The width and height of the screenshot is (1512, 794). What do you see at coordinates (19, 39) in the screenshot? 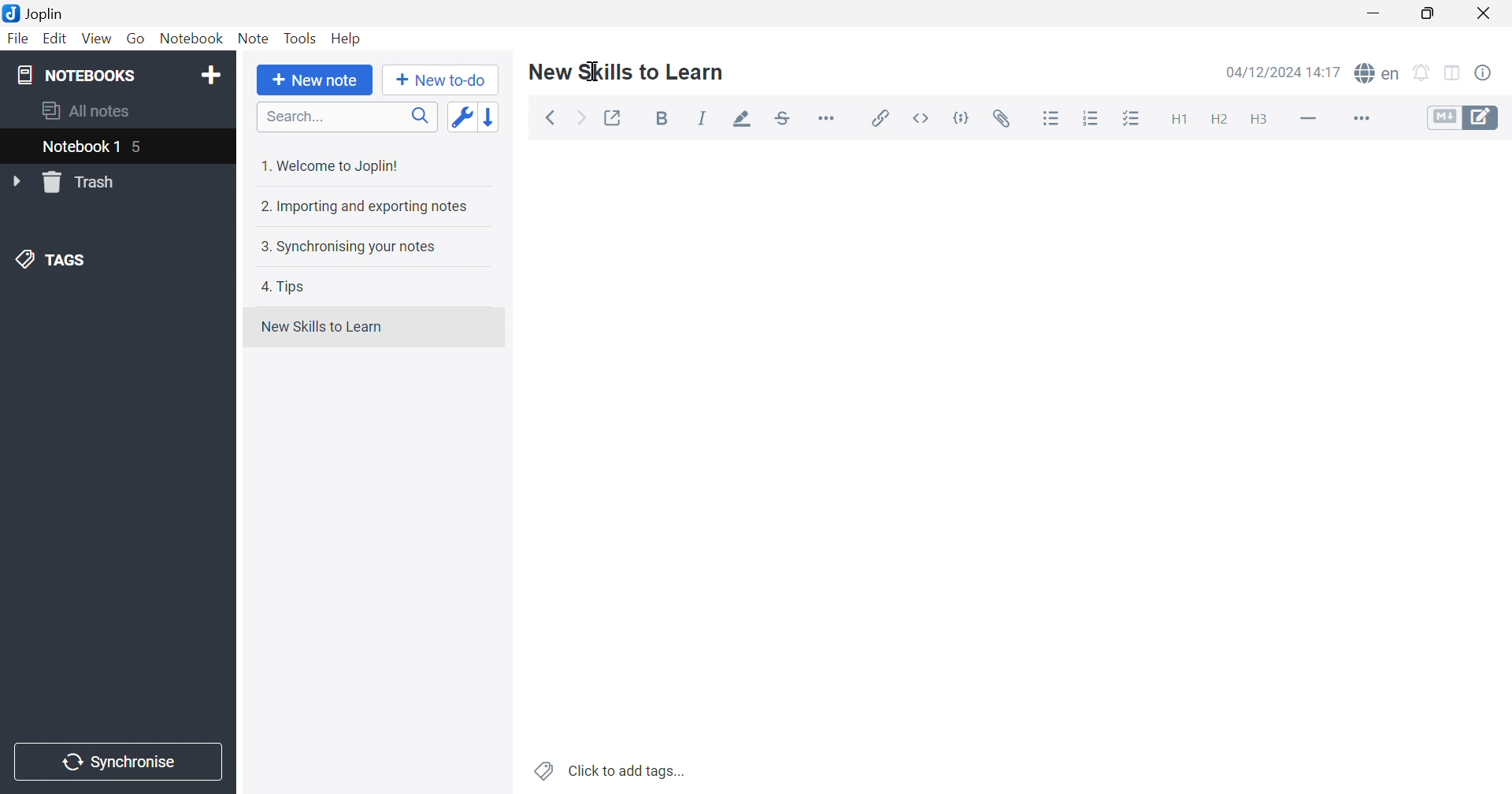
I see `File` at bounding box center [19, 39].